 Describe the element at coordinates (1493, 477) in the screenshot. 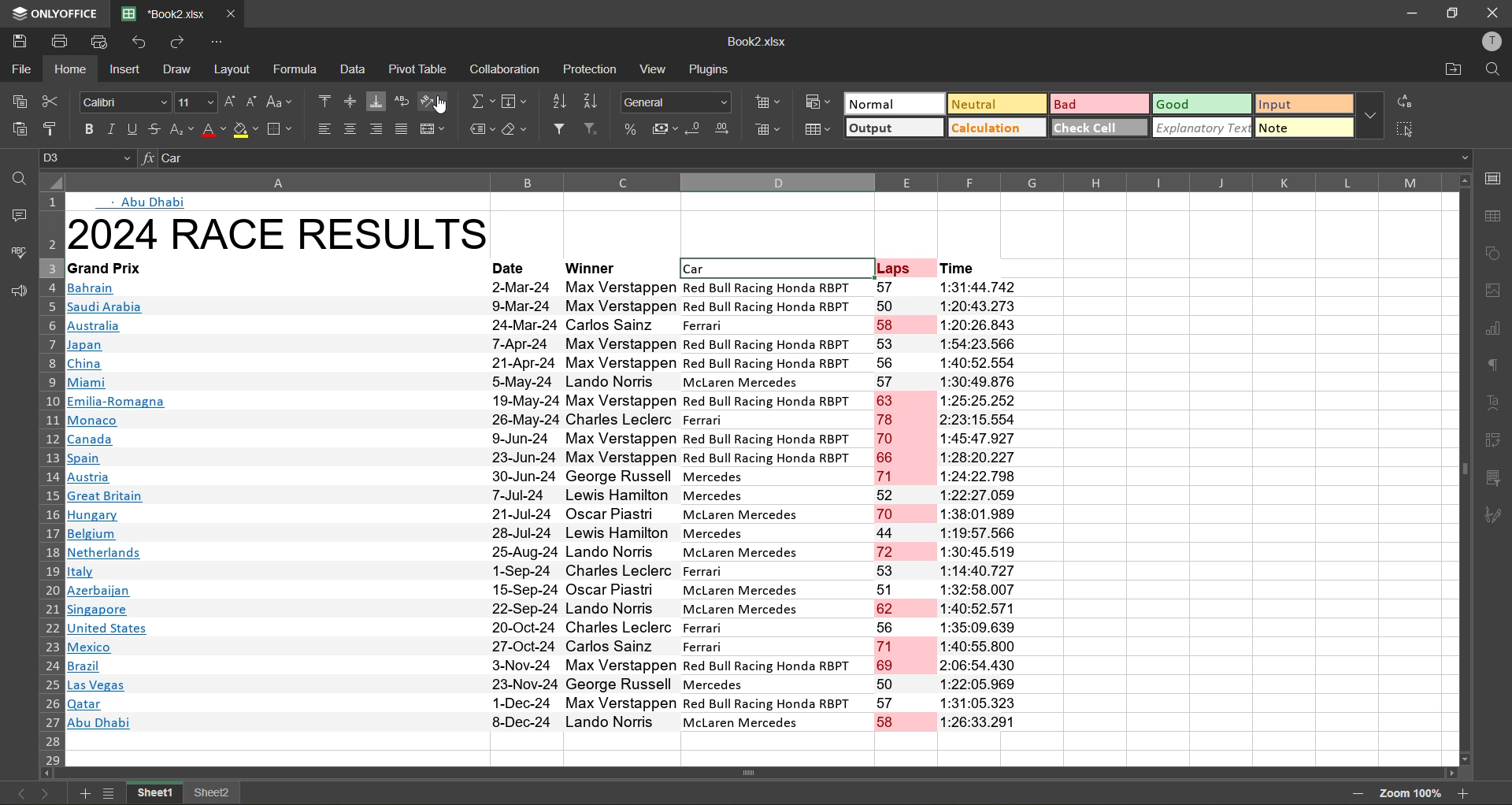

I see `slicer` at that location.